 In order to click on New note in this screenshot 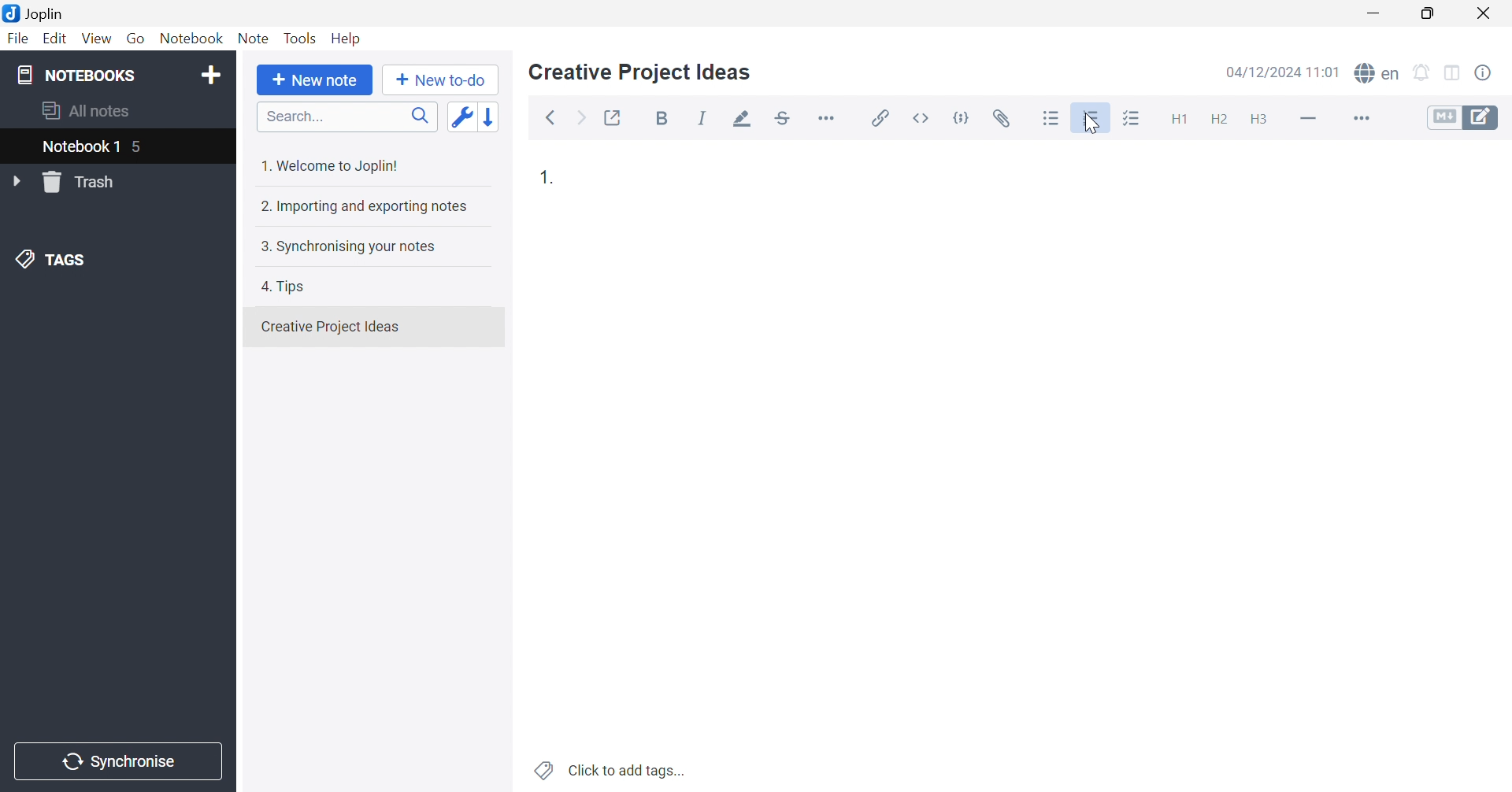, I will do `click(313, 80)`.